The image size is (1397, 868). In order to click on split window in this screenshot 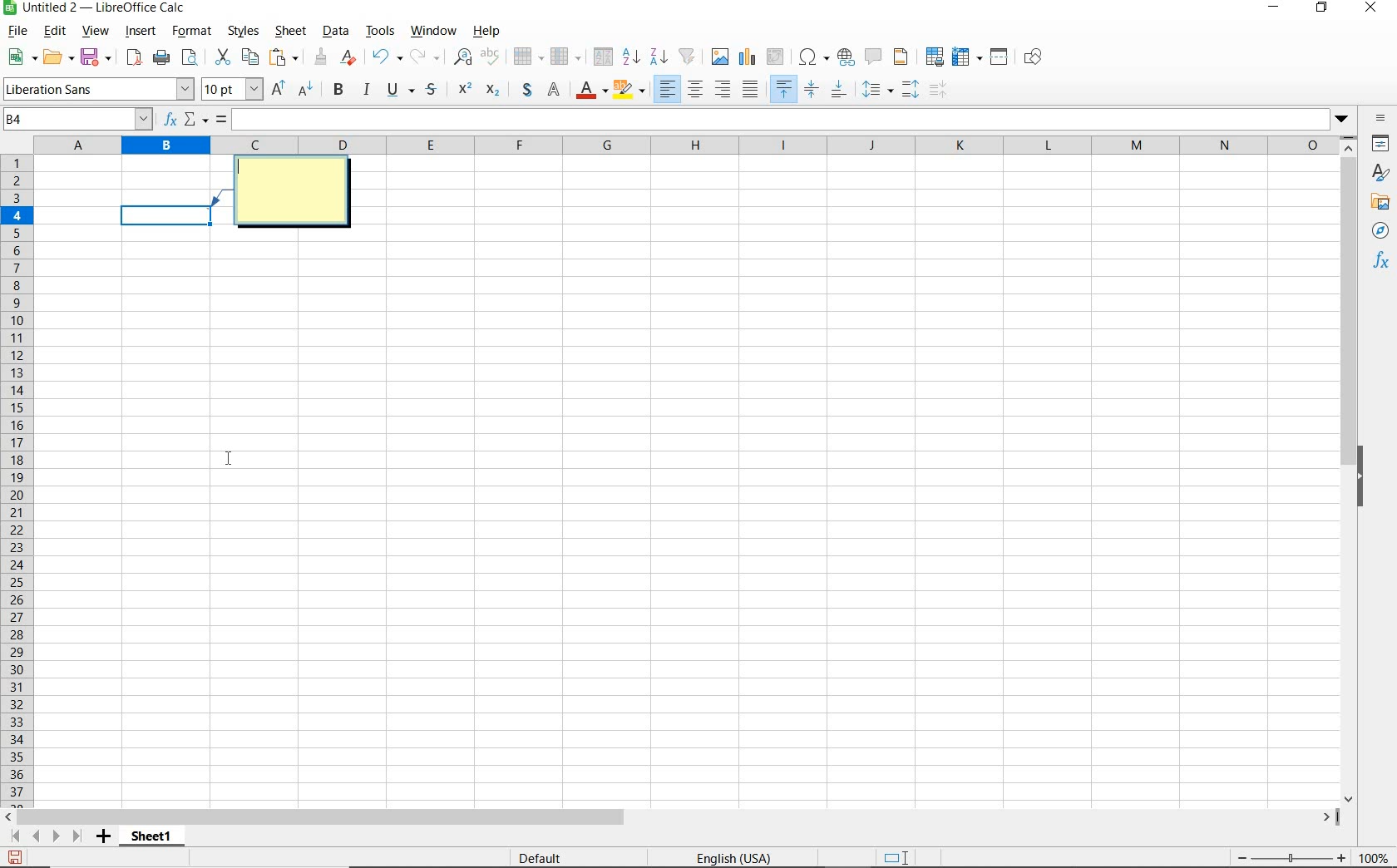, I will do `click(1000, 57)`.